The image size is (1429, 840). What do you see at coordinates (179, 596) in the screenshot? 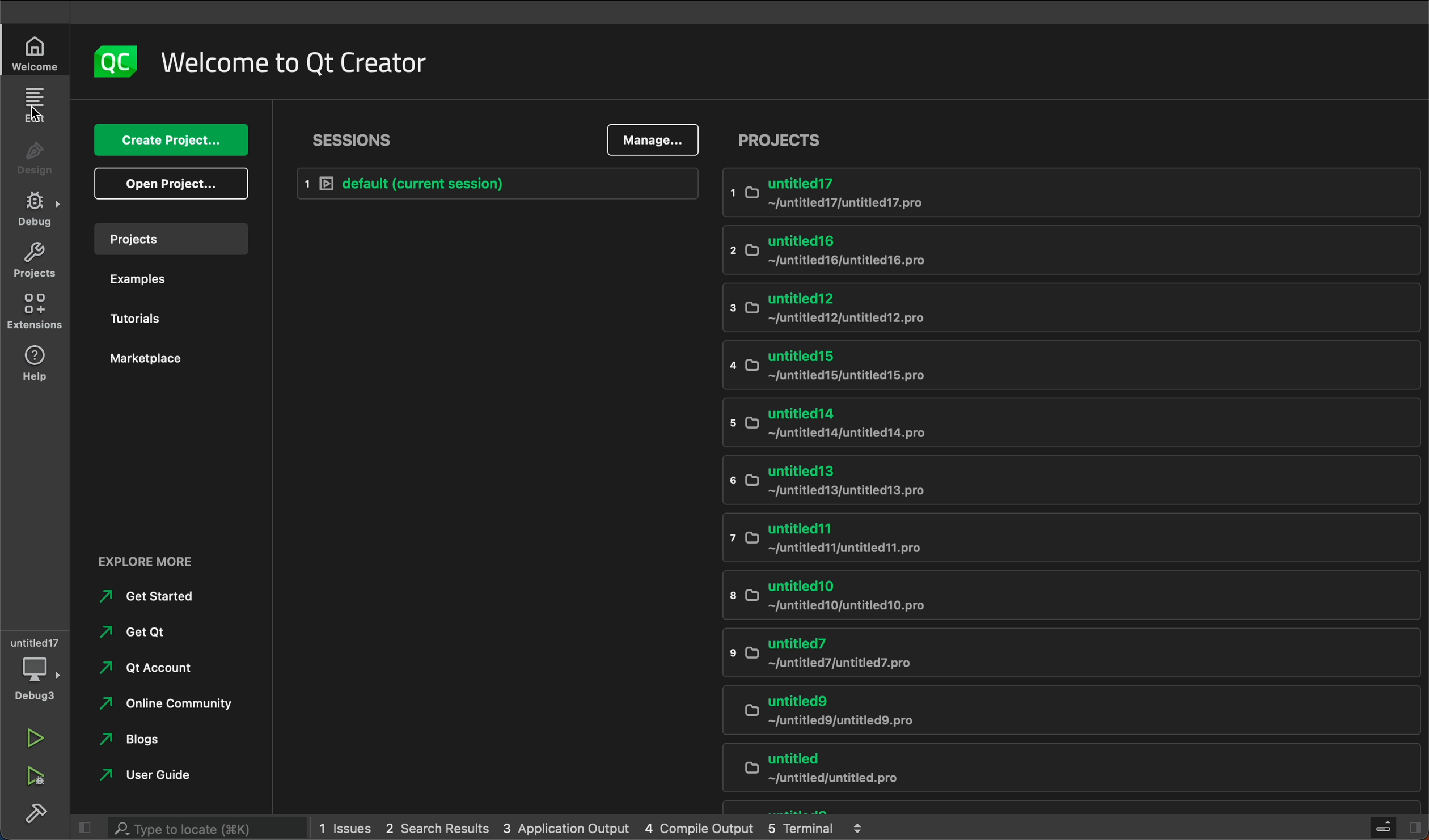
I see `get started` at bounding box center [179, 596].